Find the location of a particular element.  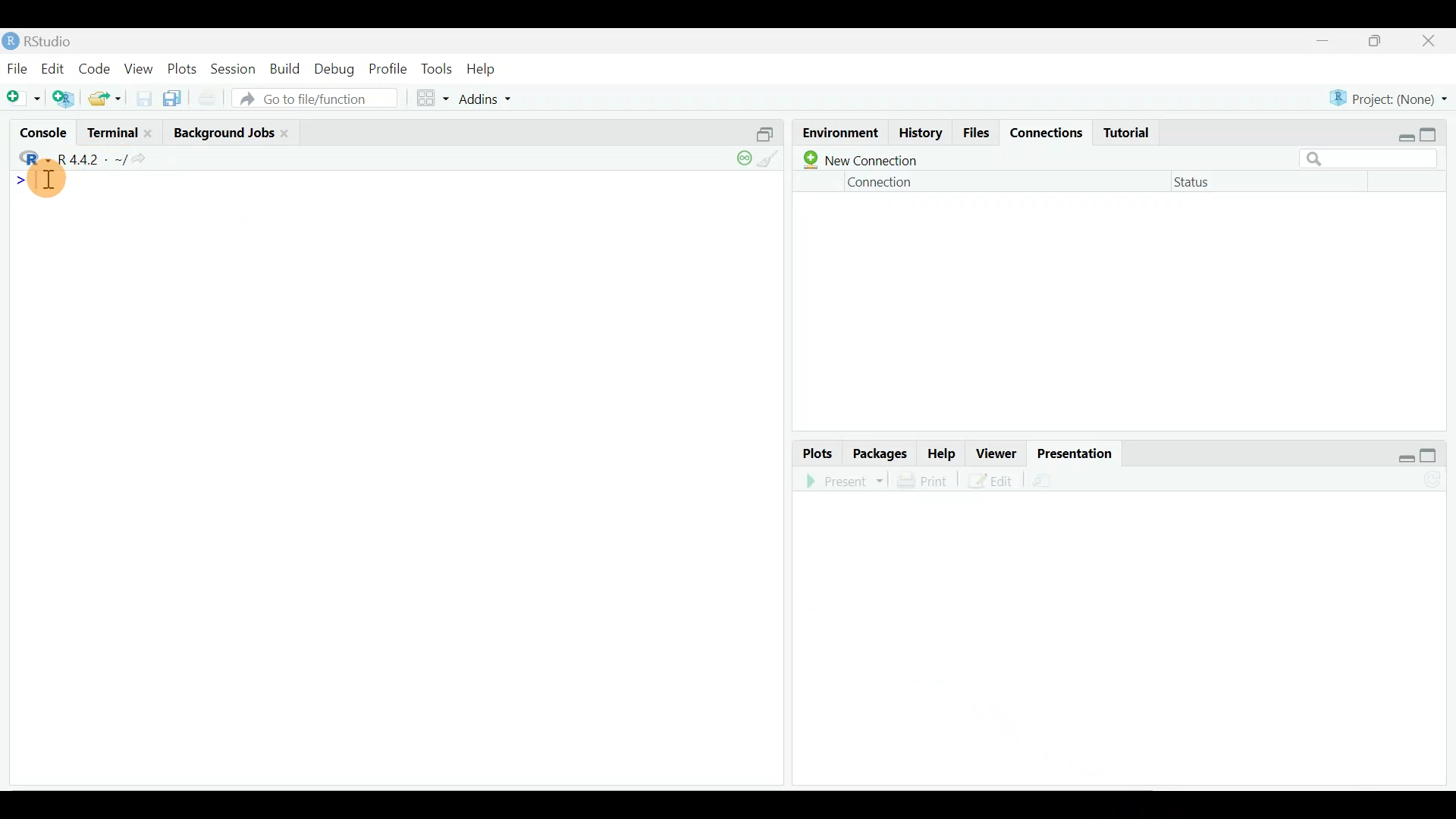

Plots is located at coordinates (182, 66).